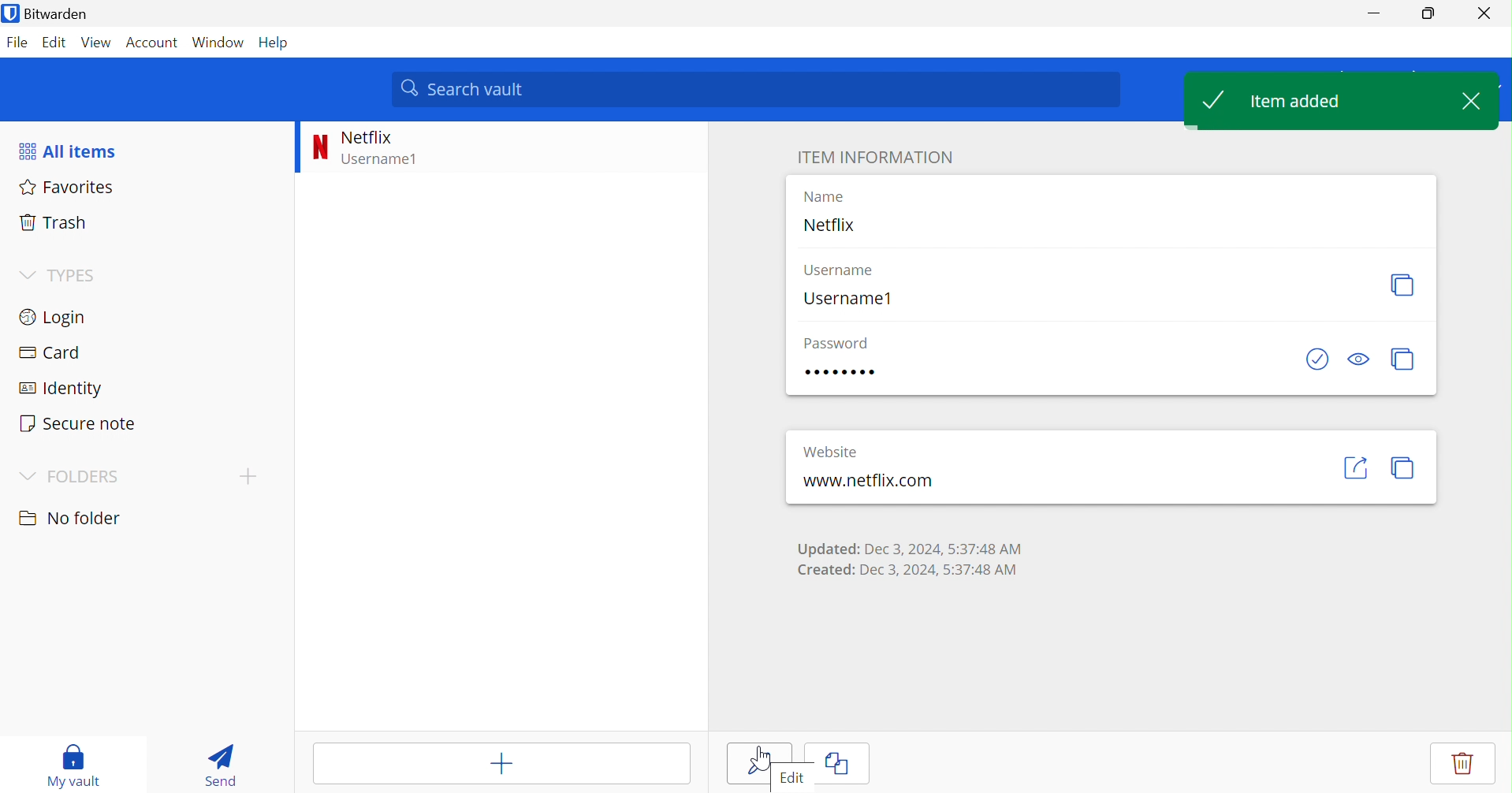  I want to click on Add item, so click(499, 763).